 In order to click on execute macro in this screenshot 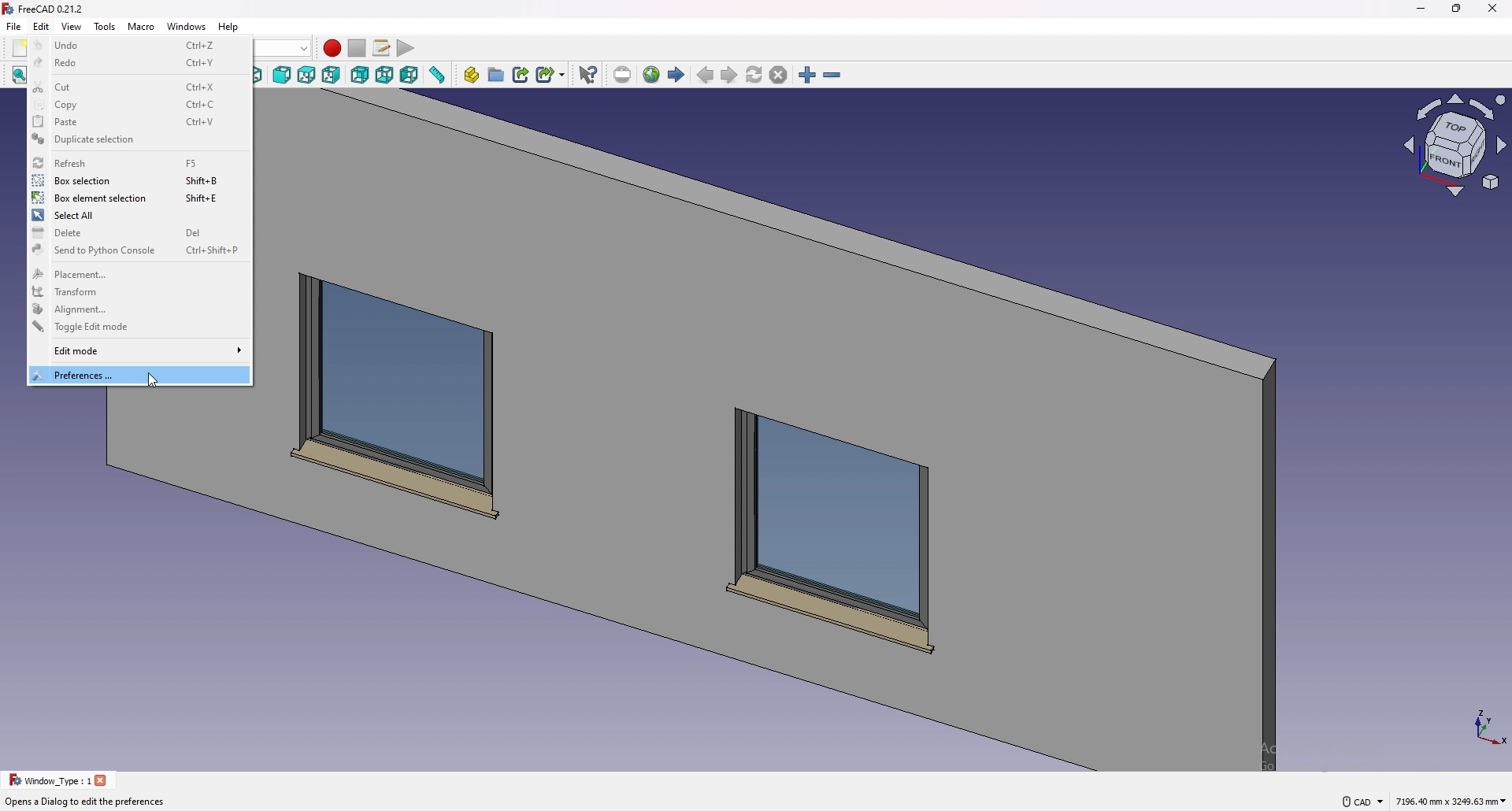, I will do `click(405, 50)`.